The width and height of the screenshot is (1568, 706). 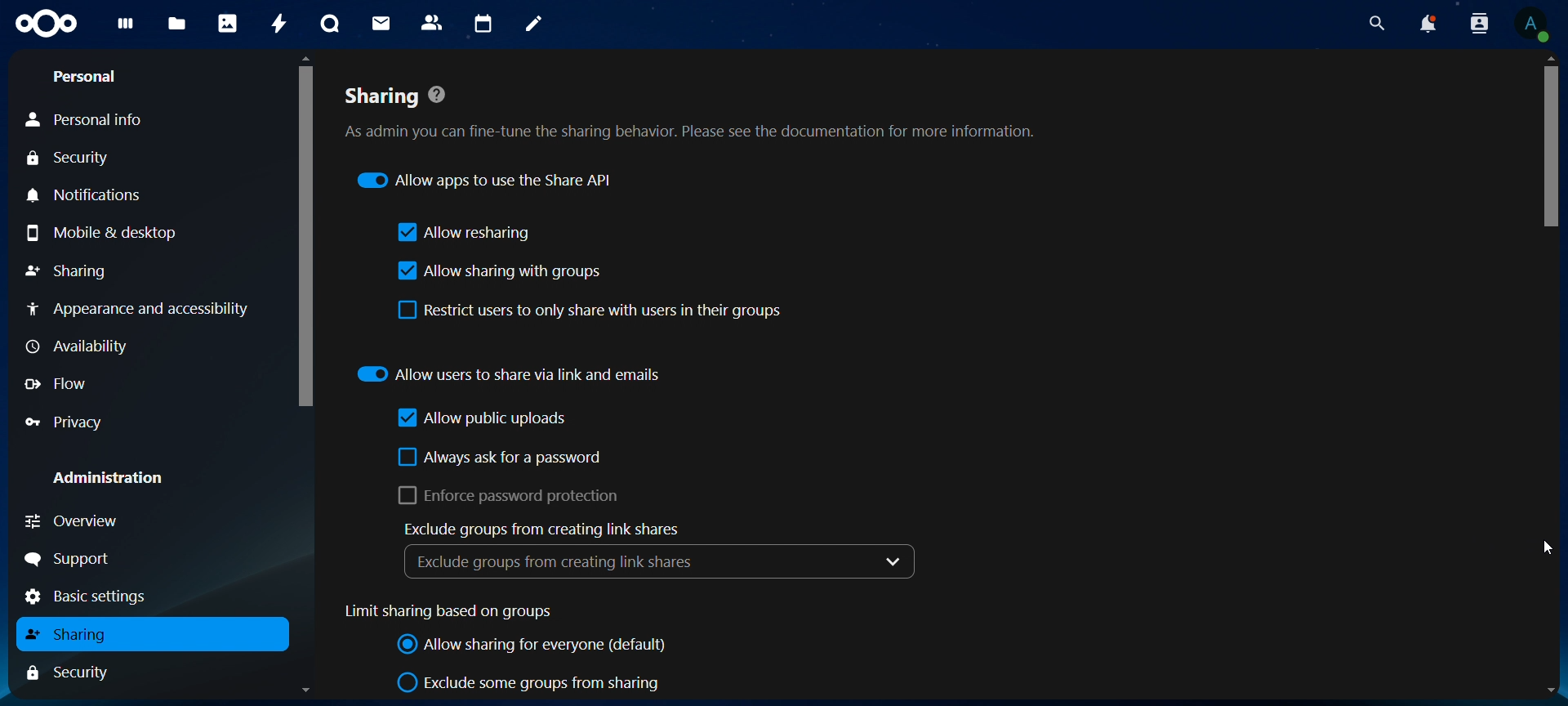 I want to click on privacy, so click(x=68, y=422).